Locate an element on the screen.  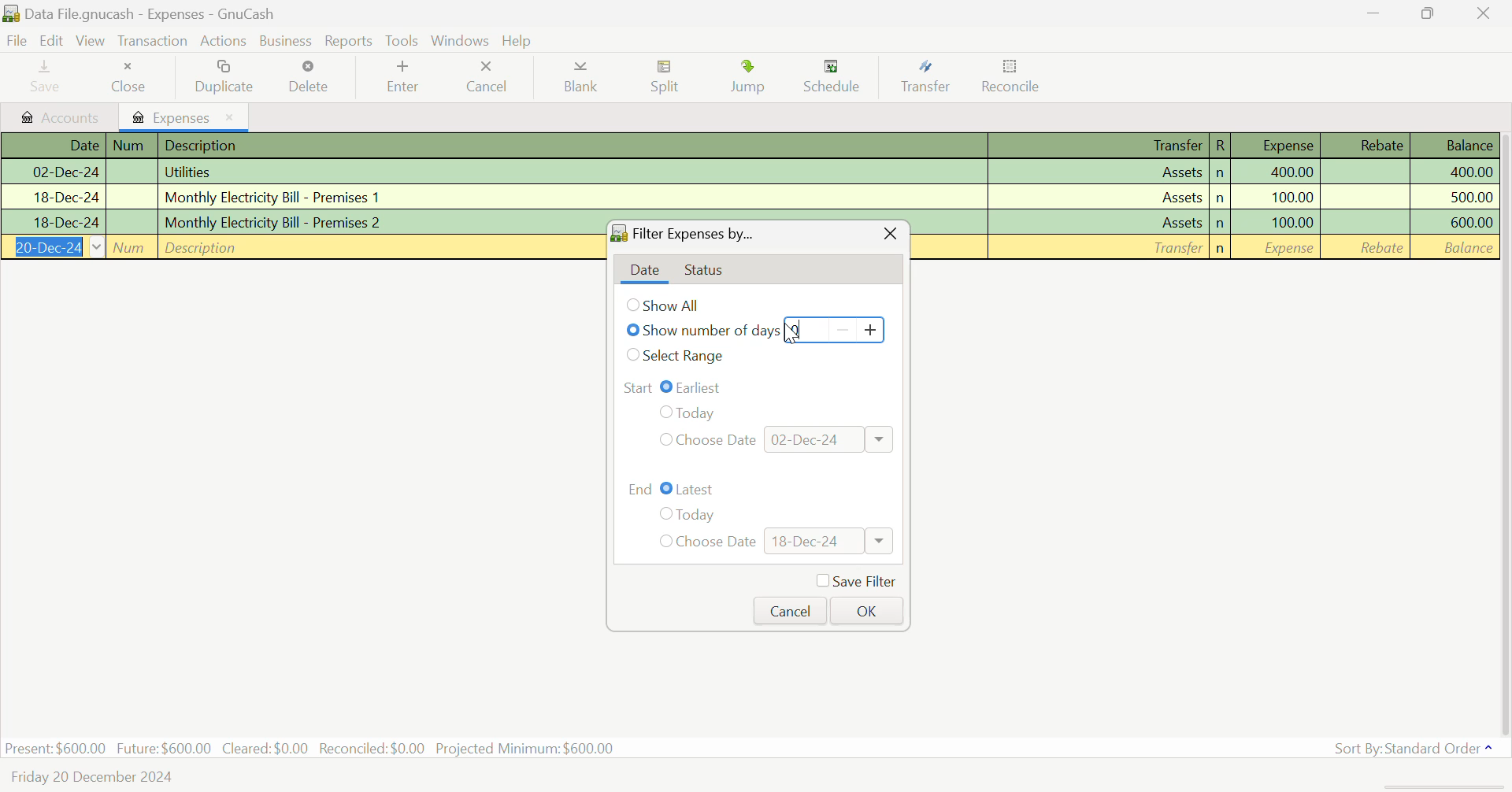
Windows is located at coordinates (461, 39).